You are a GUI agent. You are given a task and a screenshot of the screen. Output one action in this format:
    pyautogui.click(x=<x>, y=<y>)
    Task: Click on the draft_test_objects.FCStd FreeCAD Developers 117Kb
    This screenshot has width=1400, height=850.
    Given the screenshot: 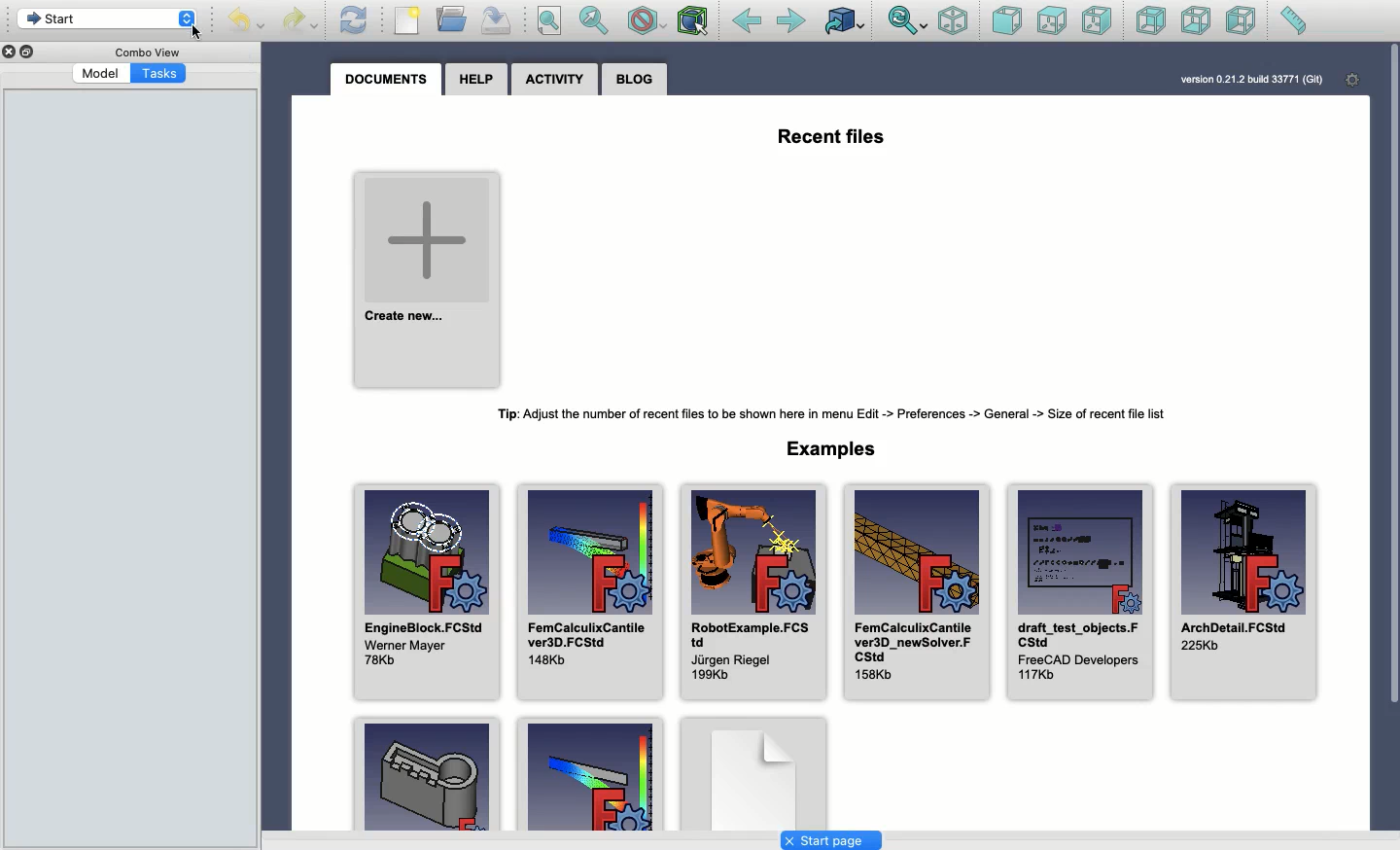 What is the action you would take?
    pyautogui.click(x=1080, y=592)
    